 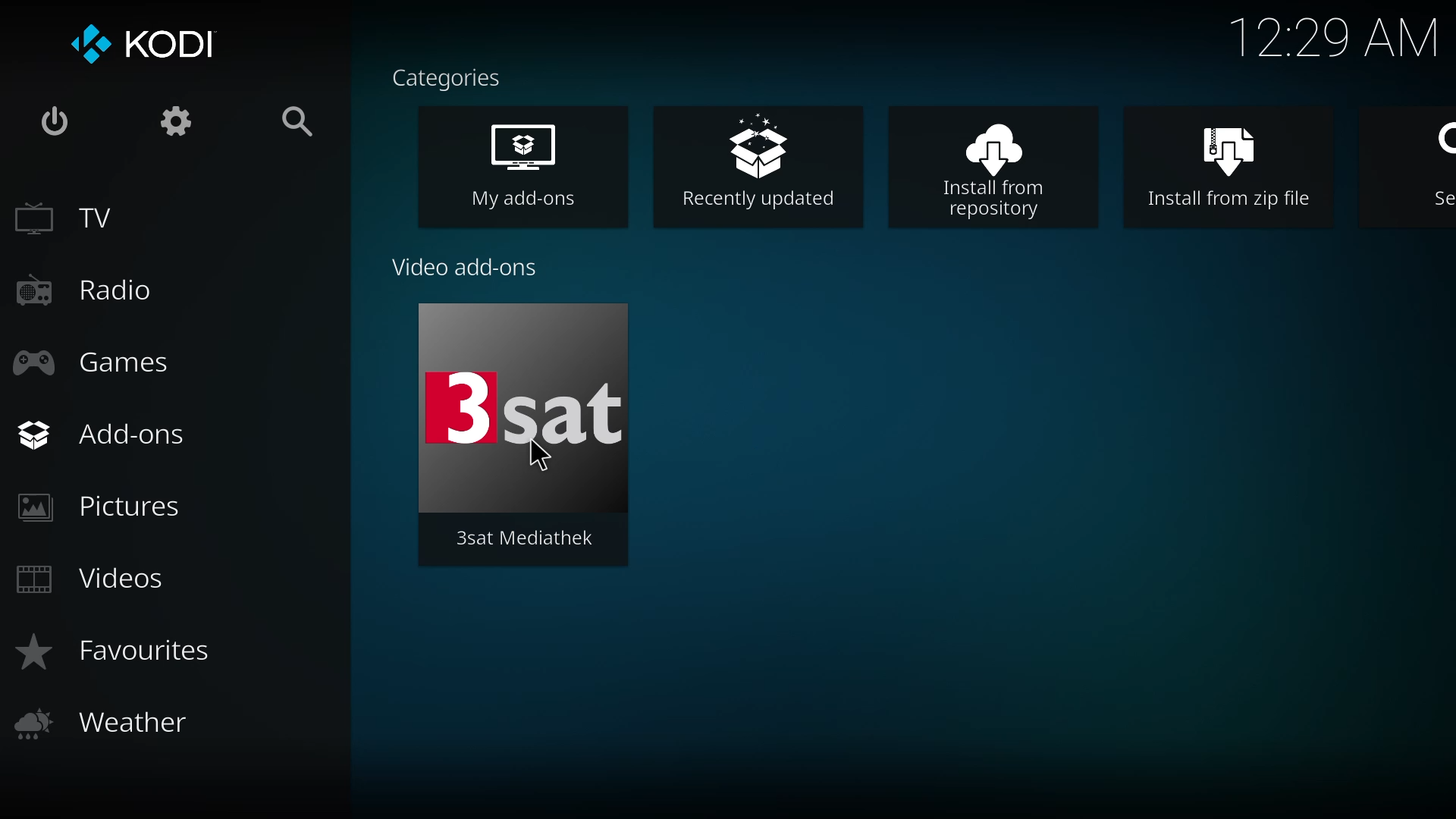 What do you see at coordinates (992, 171) in the screenshot?
I see `install from repository` at bounding box center [992, 171].